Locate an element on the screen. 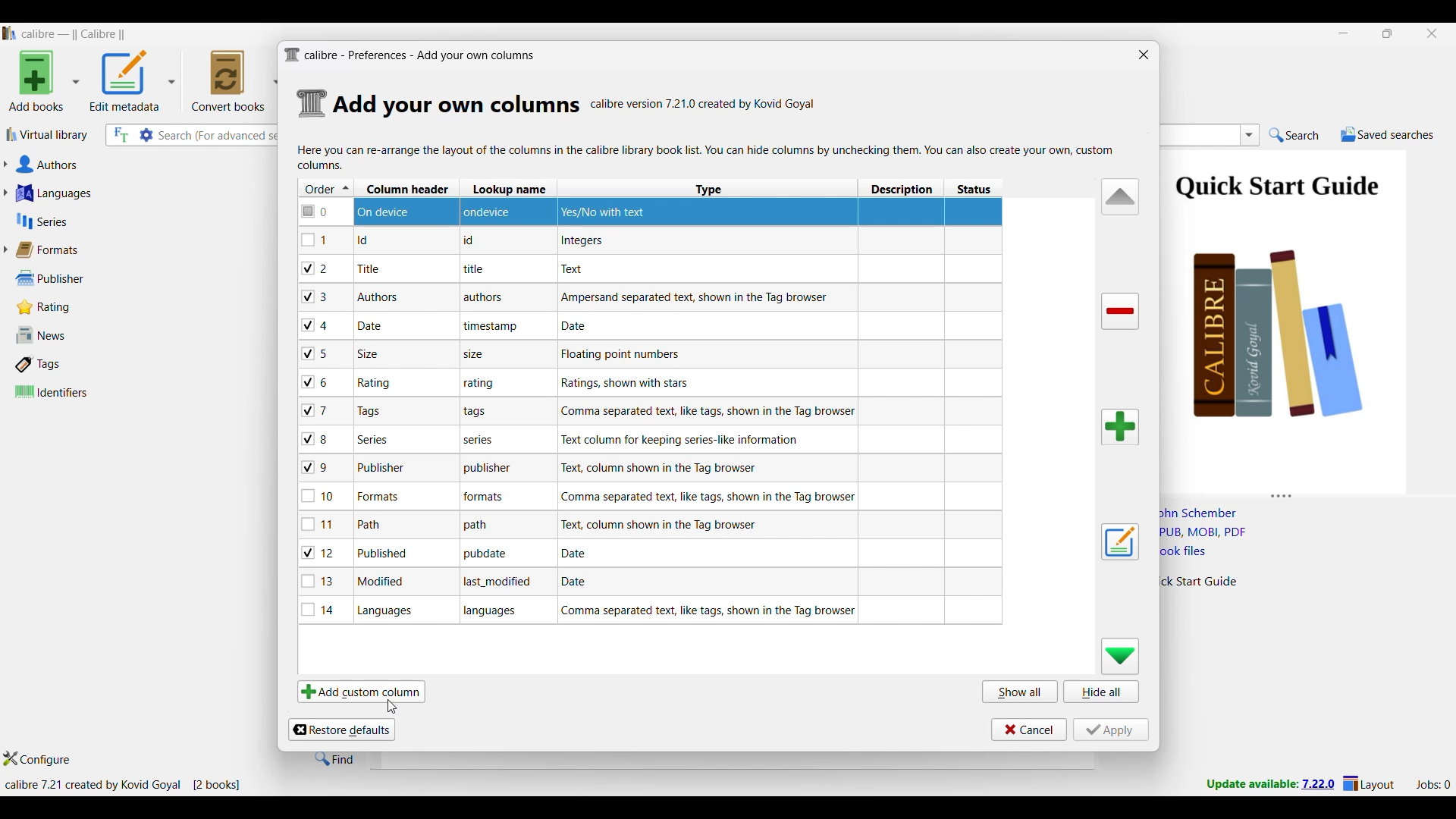 The height and width of the screenshot is (819, 1456). Type column is located at coordinates (708, 188).